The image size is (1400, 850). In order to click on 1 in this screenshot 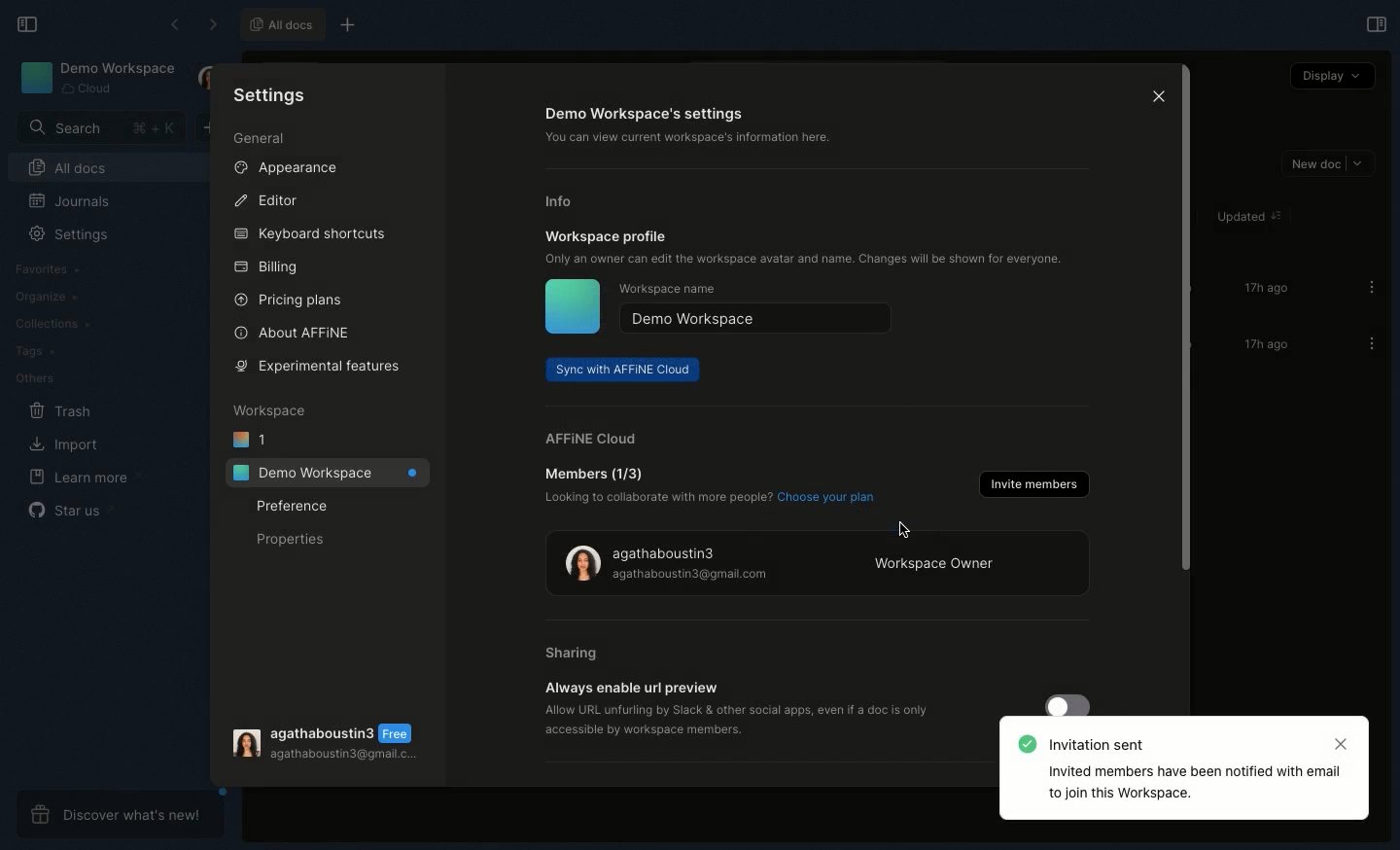, I will do `click(251, 441)`.